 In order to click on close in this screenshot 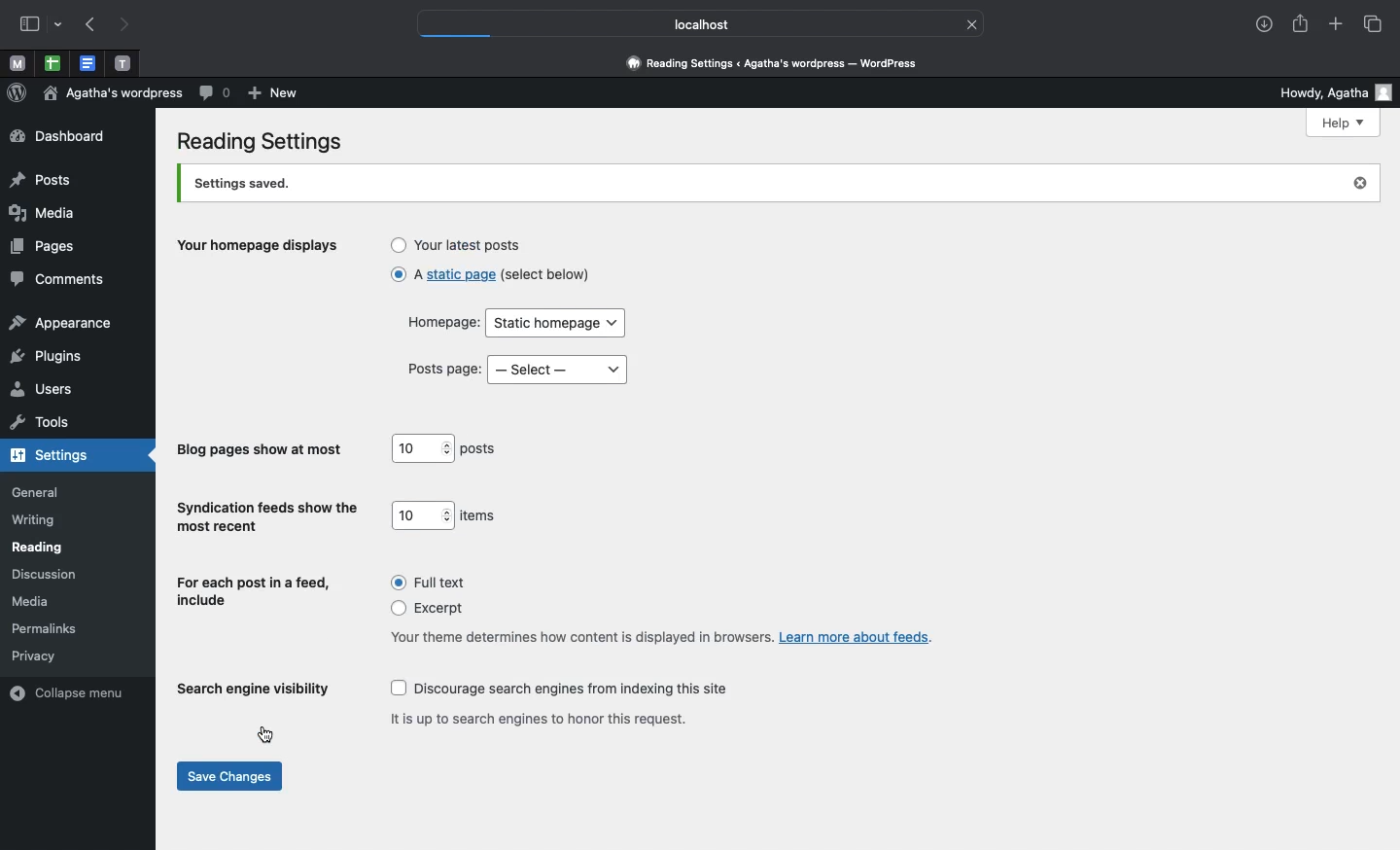, I will do `click(972, 23)`.